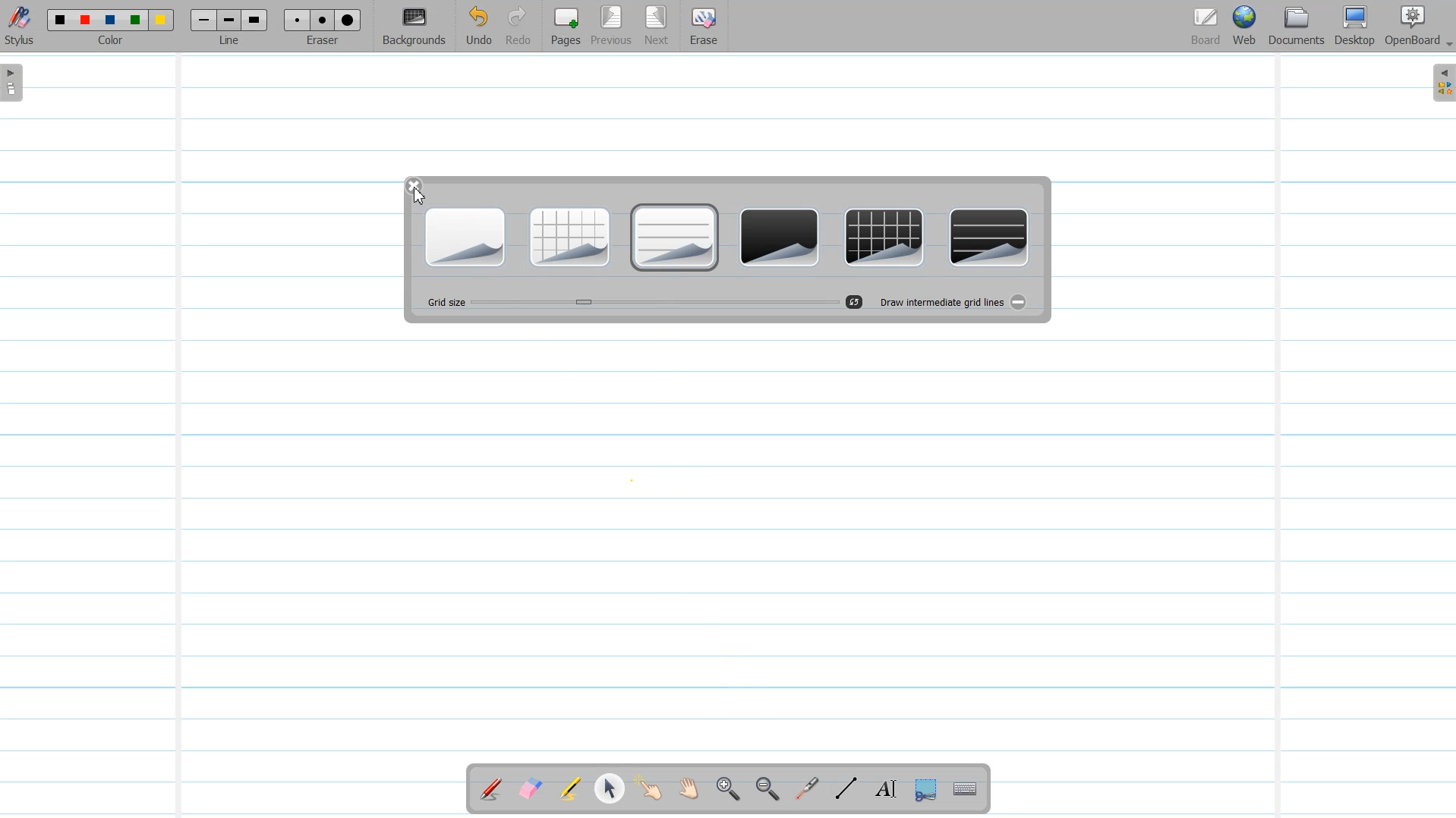 This screenshot has width=1456, height=818. I want to click on Previous, so click(613, 27).